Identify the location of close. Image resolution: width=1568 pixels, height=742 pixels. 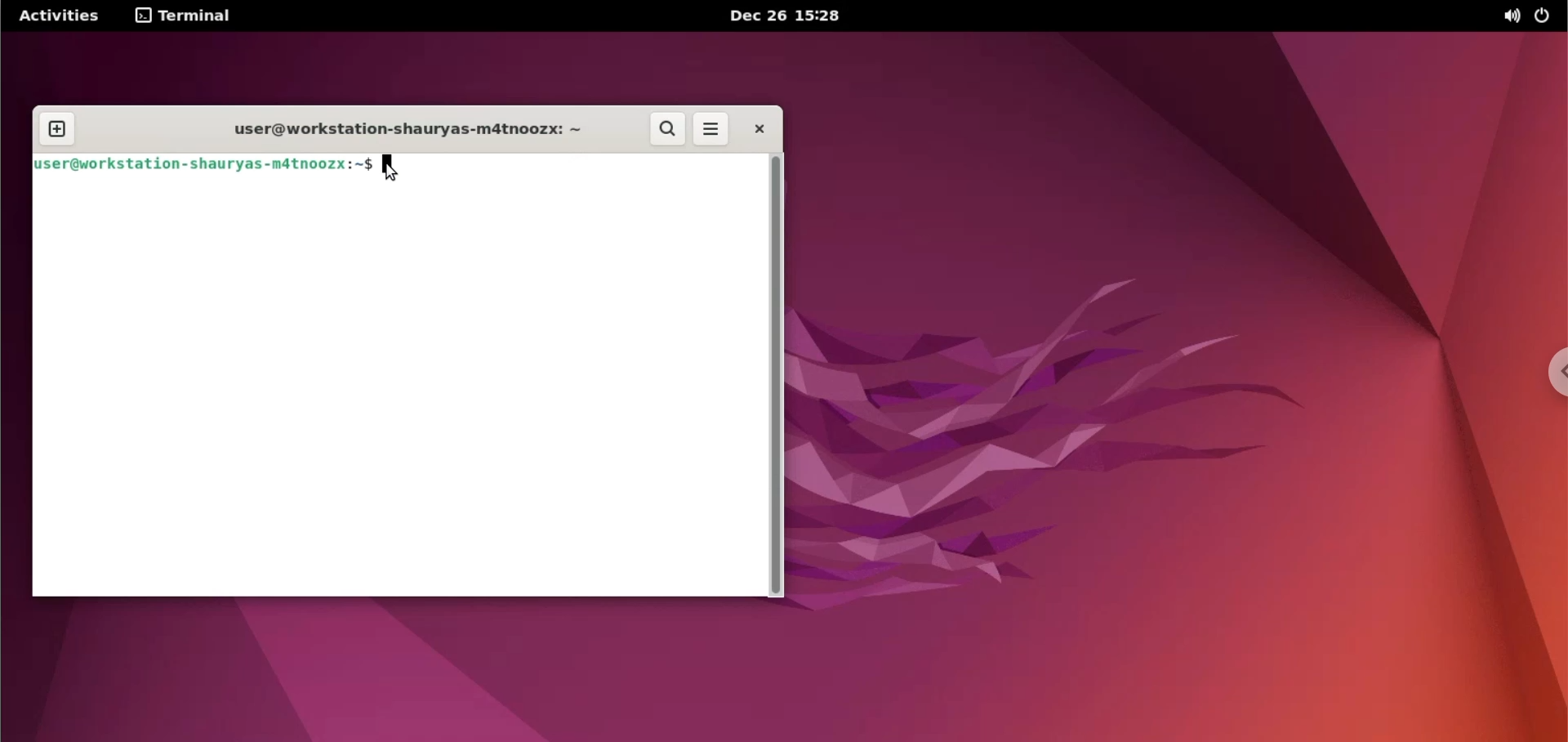
(763, 127).